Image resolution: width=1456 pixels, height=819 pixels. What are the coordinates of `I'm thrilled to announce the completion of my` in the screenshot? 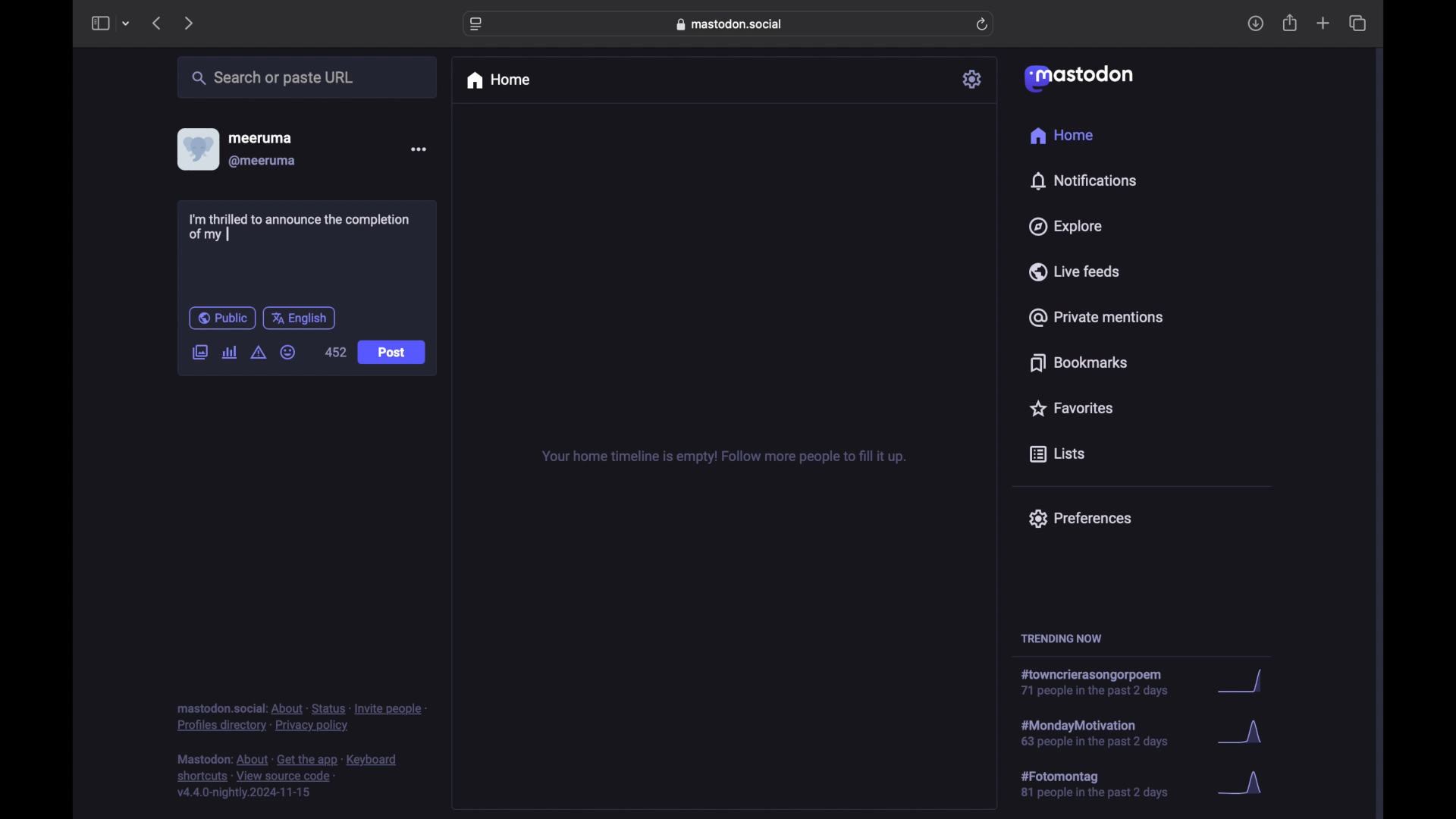 It's located at (303, 227).